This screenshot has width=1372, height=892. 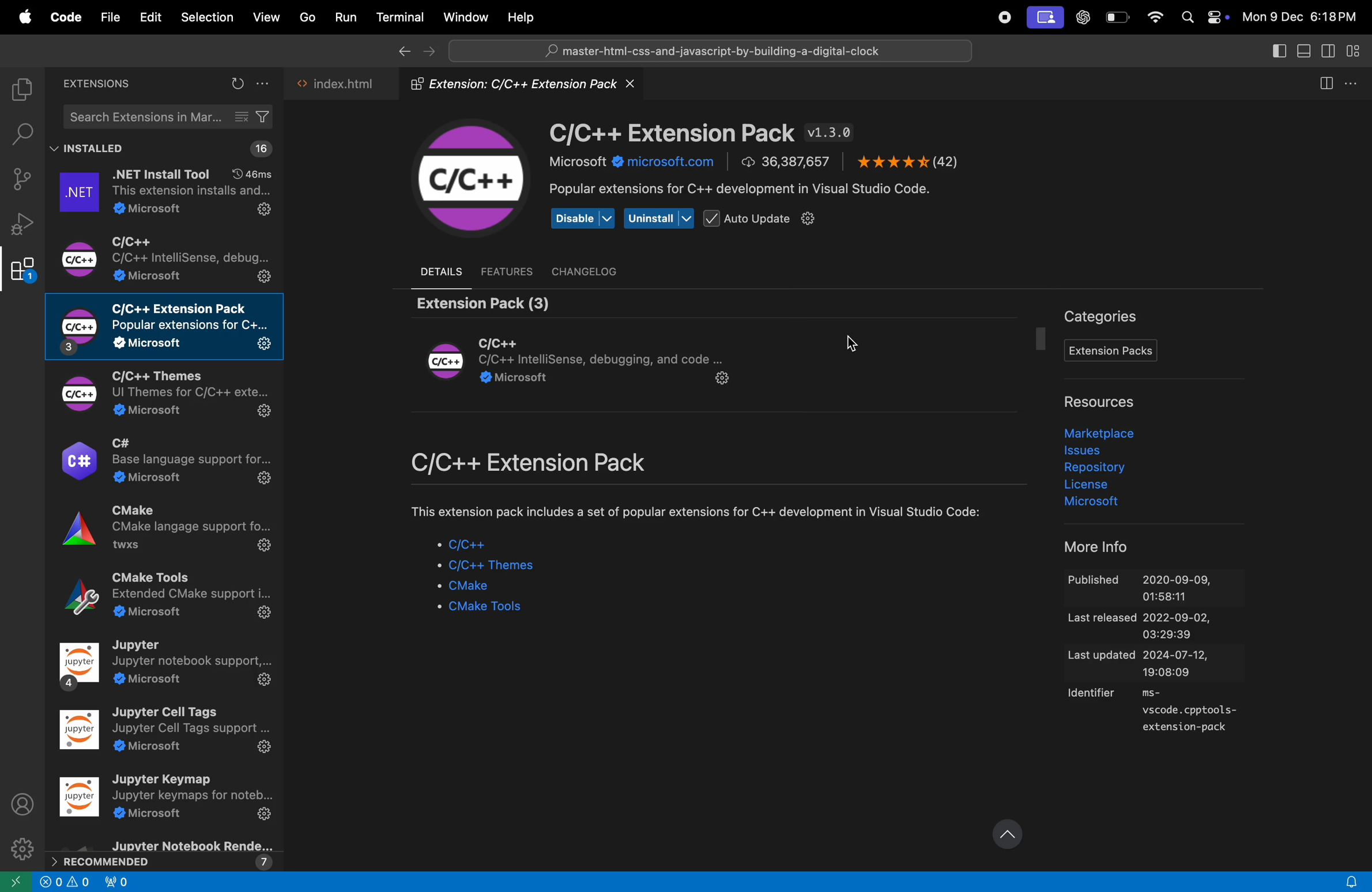 I want to click on apple widgets, so click(x=1204, y=16).